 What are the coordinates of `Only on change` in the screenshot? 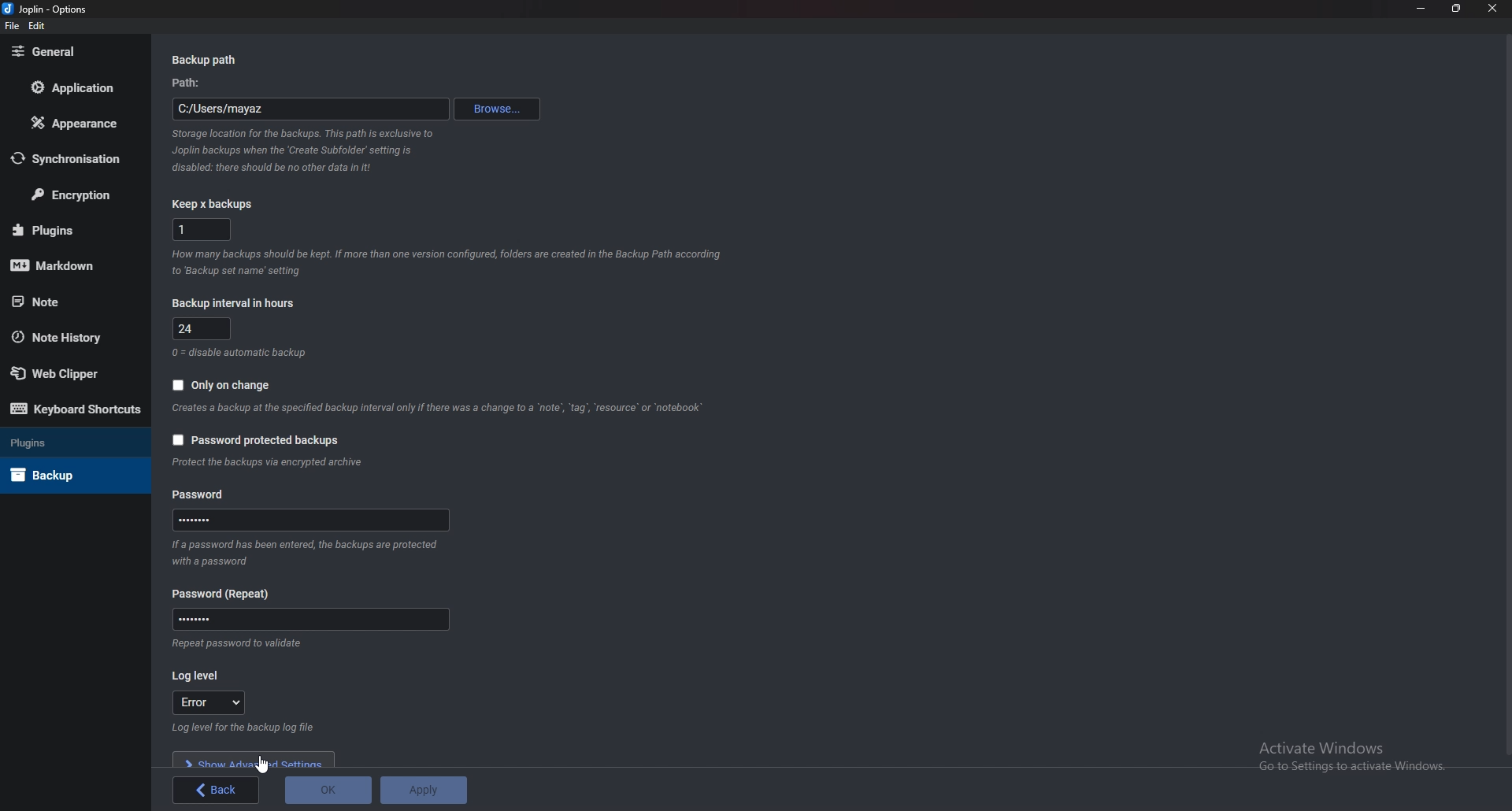 It's located at (220, 386).